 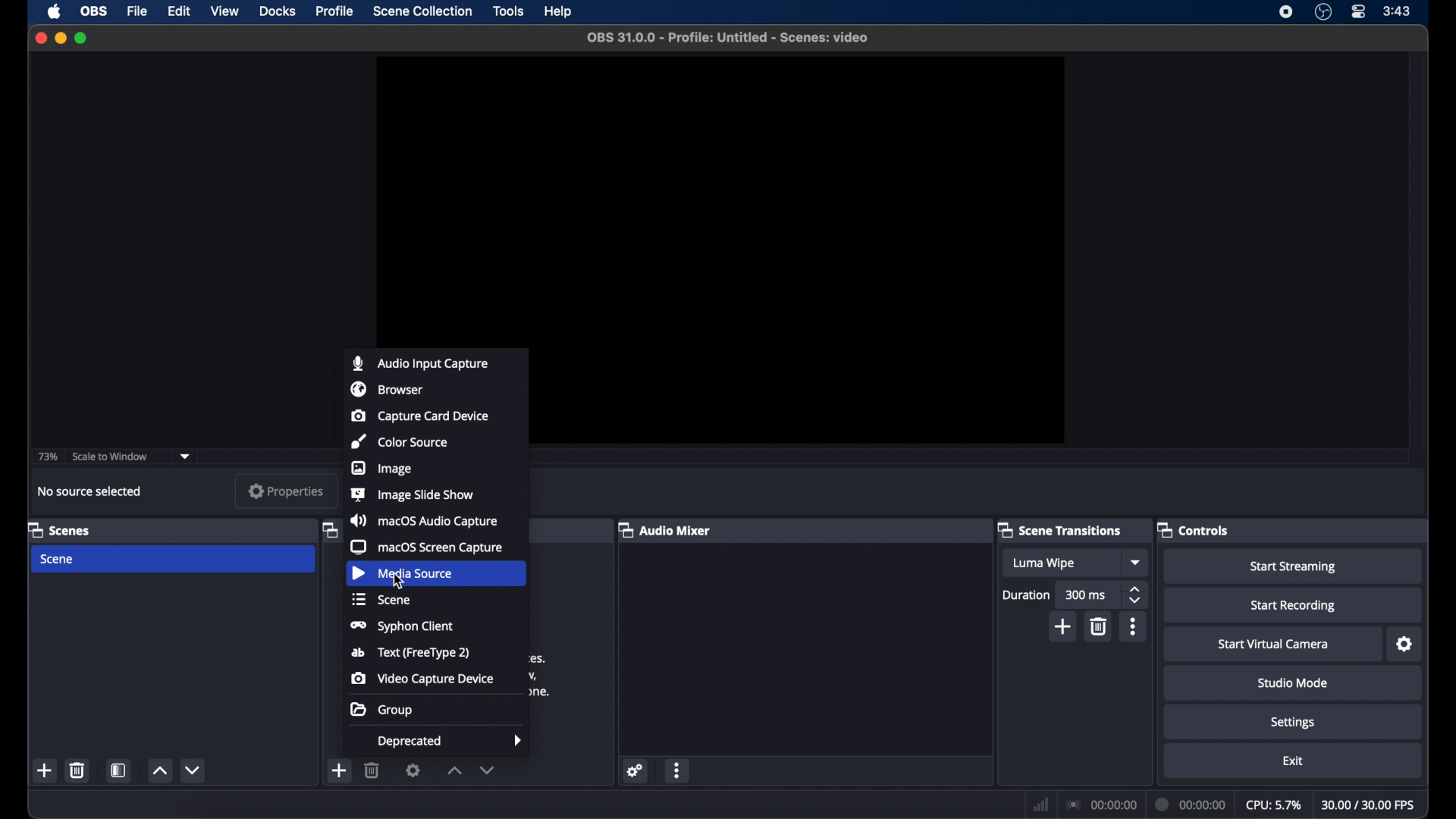 I want to click on delete, so click(x=77, y=770).